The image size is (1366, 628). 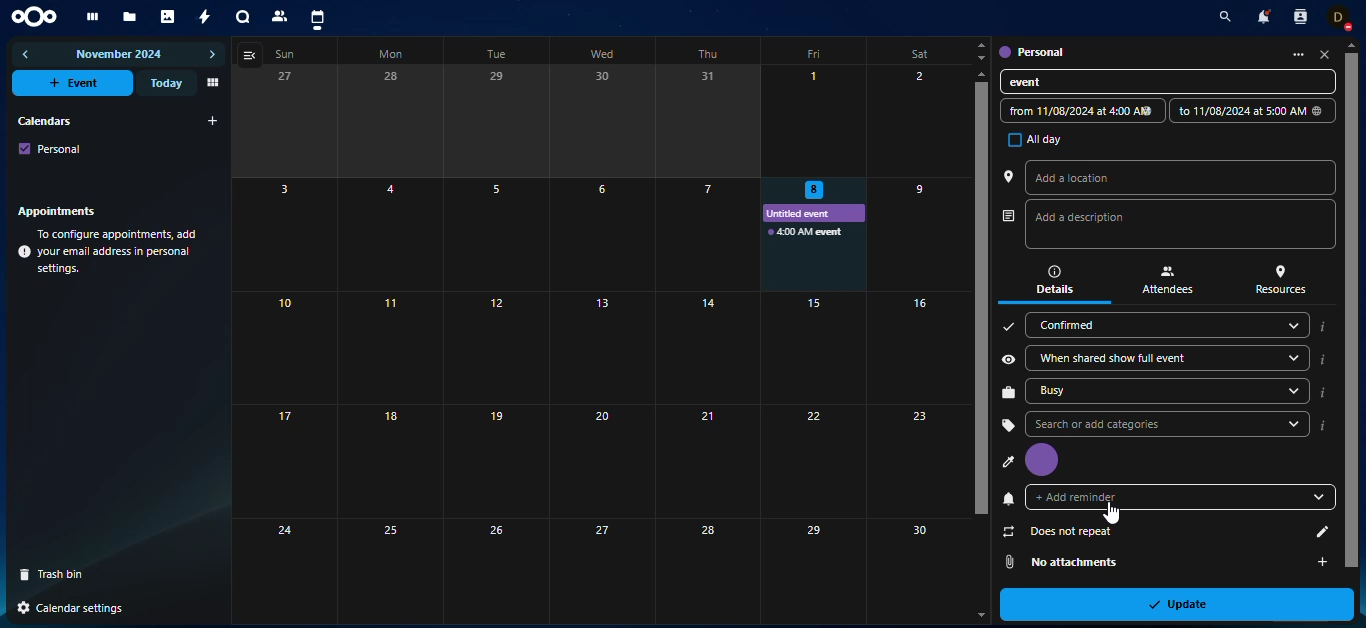 What do you see at coordinates (1248, 110) in the screenshot?
I see `date` at bounding box center [1248, 110].